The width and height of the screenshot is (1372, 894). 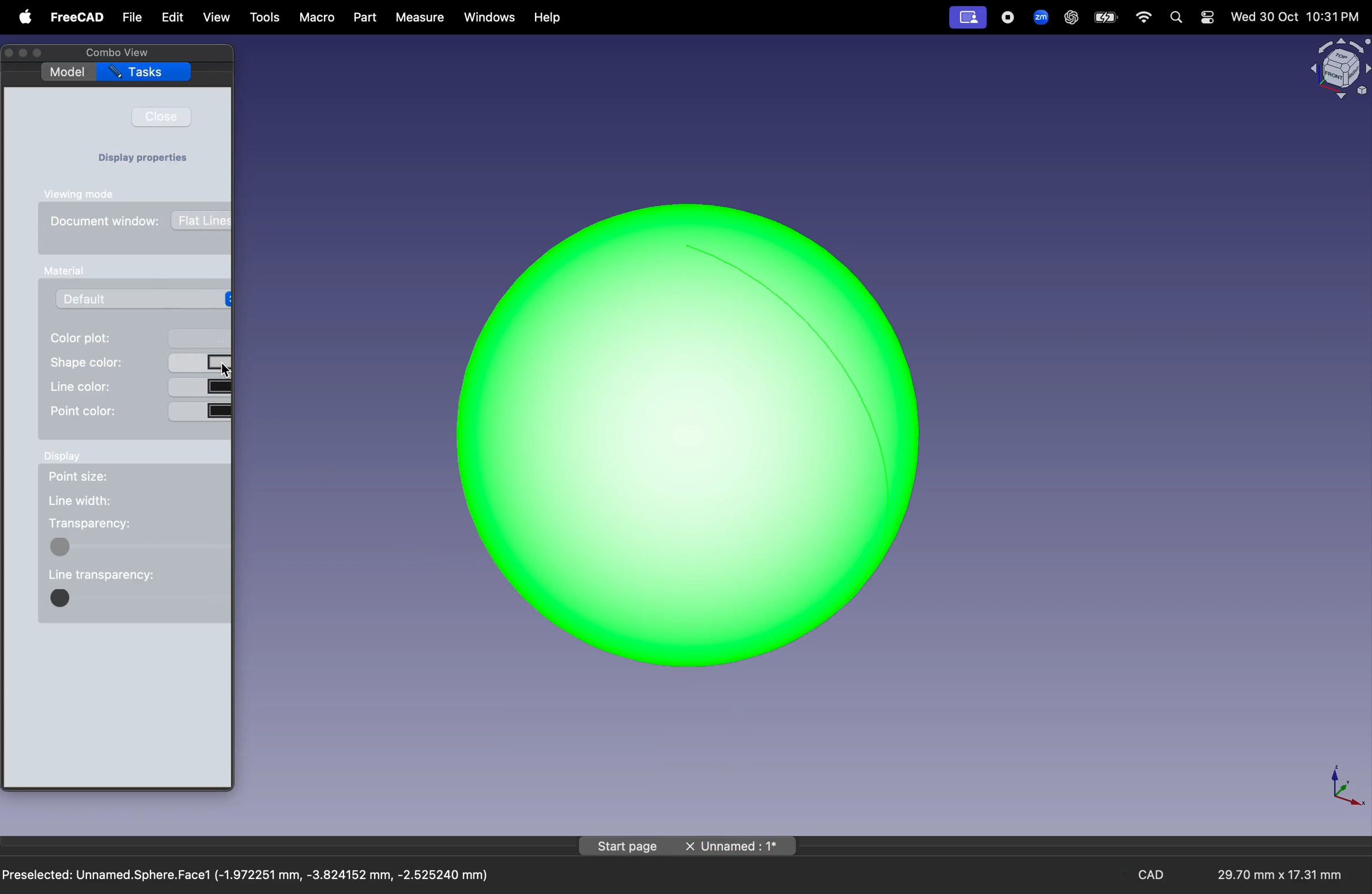 What do you see at coordinates (137, 546) in the screenshot?
I see `color block` at bounding box center [137, 546].